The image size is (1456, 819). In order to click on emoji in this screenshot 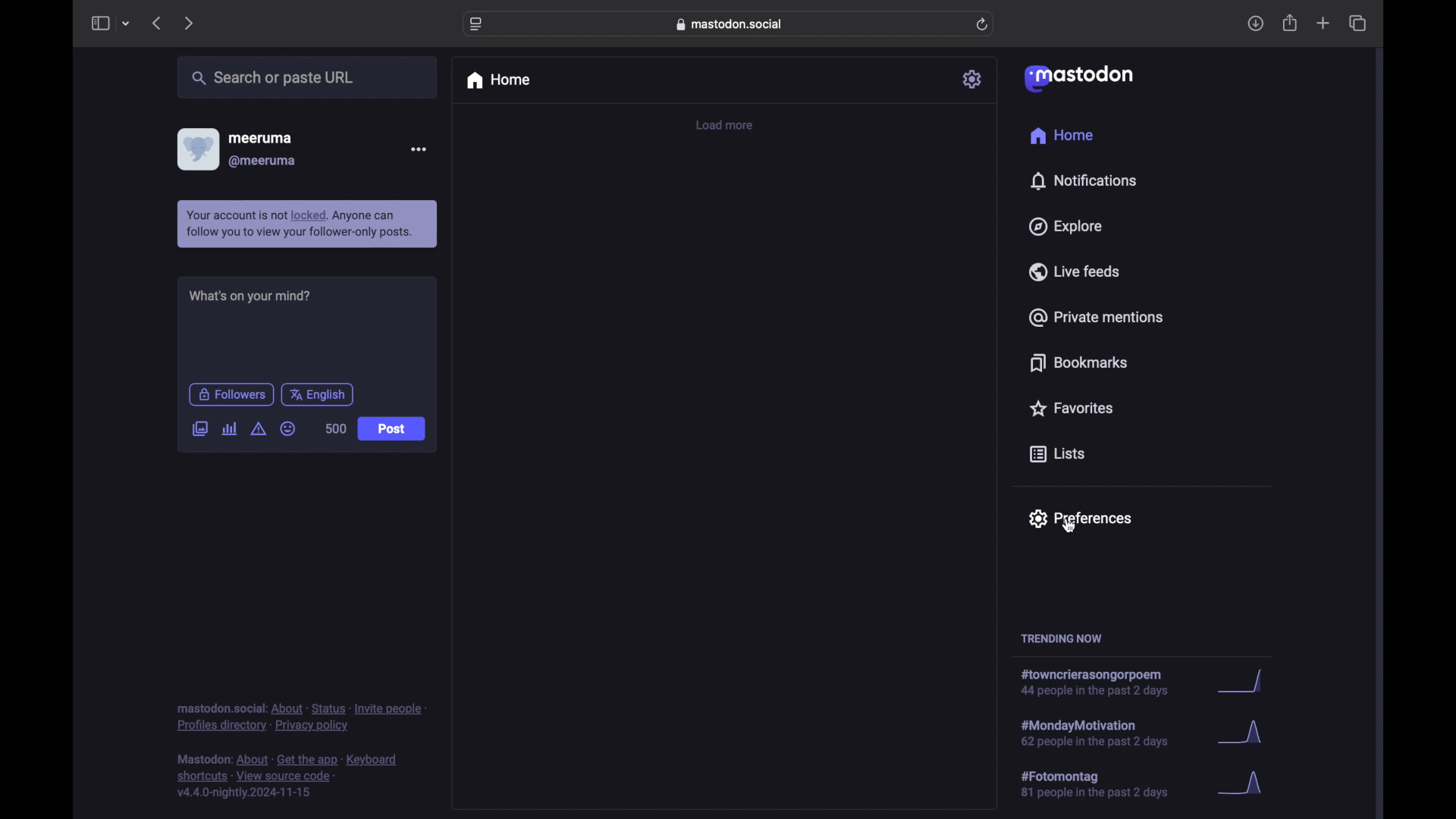, I will do `click(288, 429)`.